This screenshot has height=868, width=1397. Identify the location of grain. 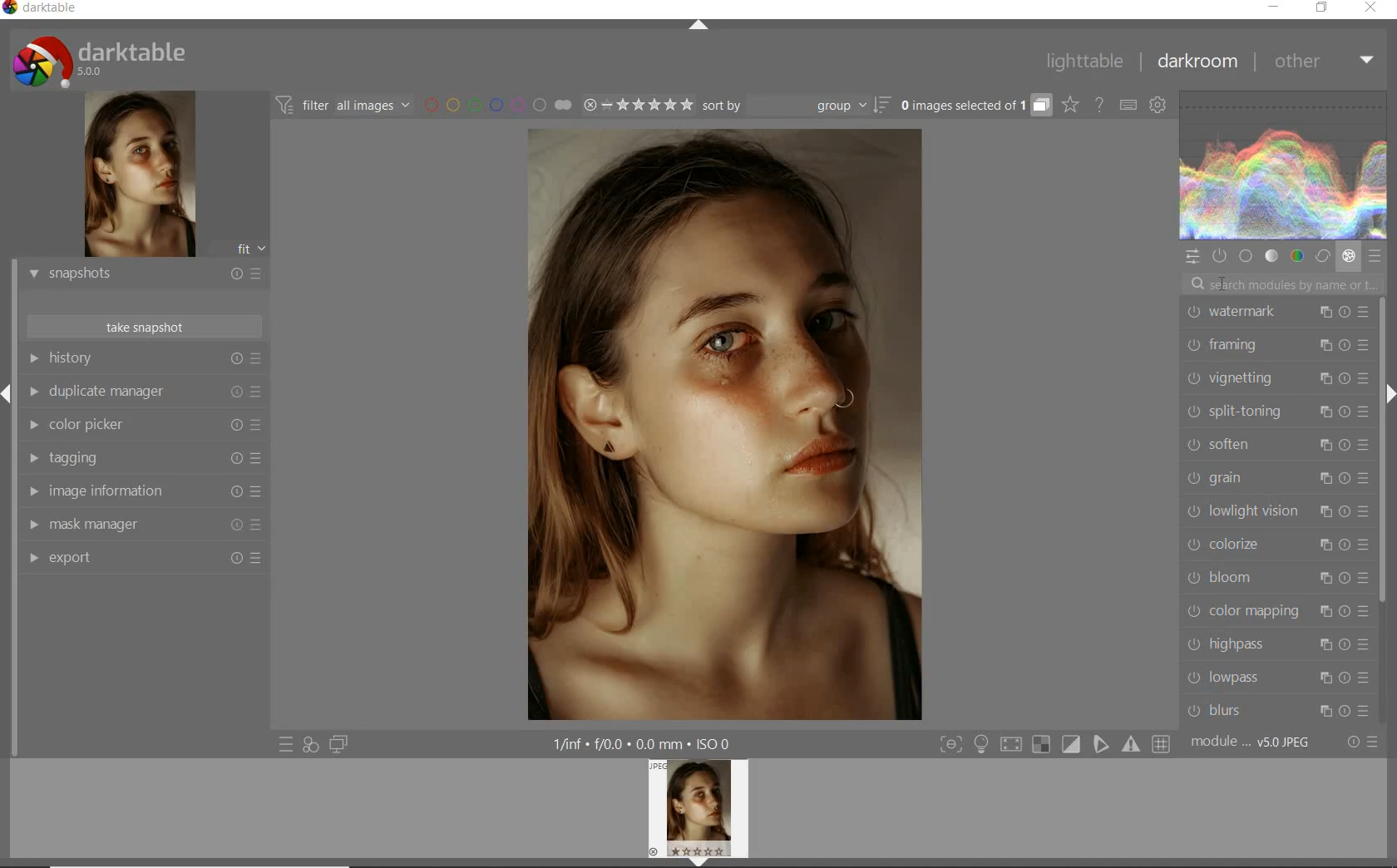
(1274, 476).